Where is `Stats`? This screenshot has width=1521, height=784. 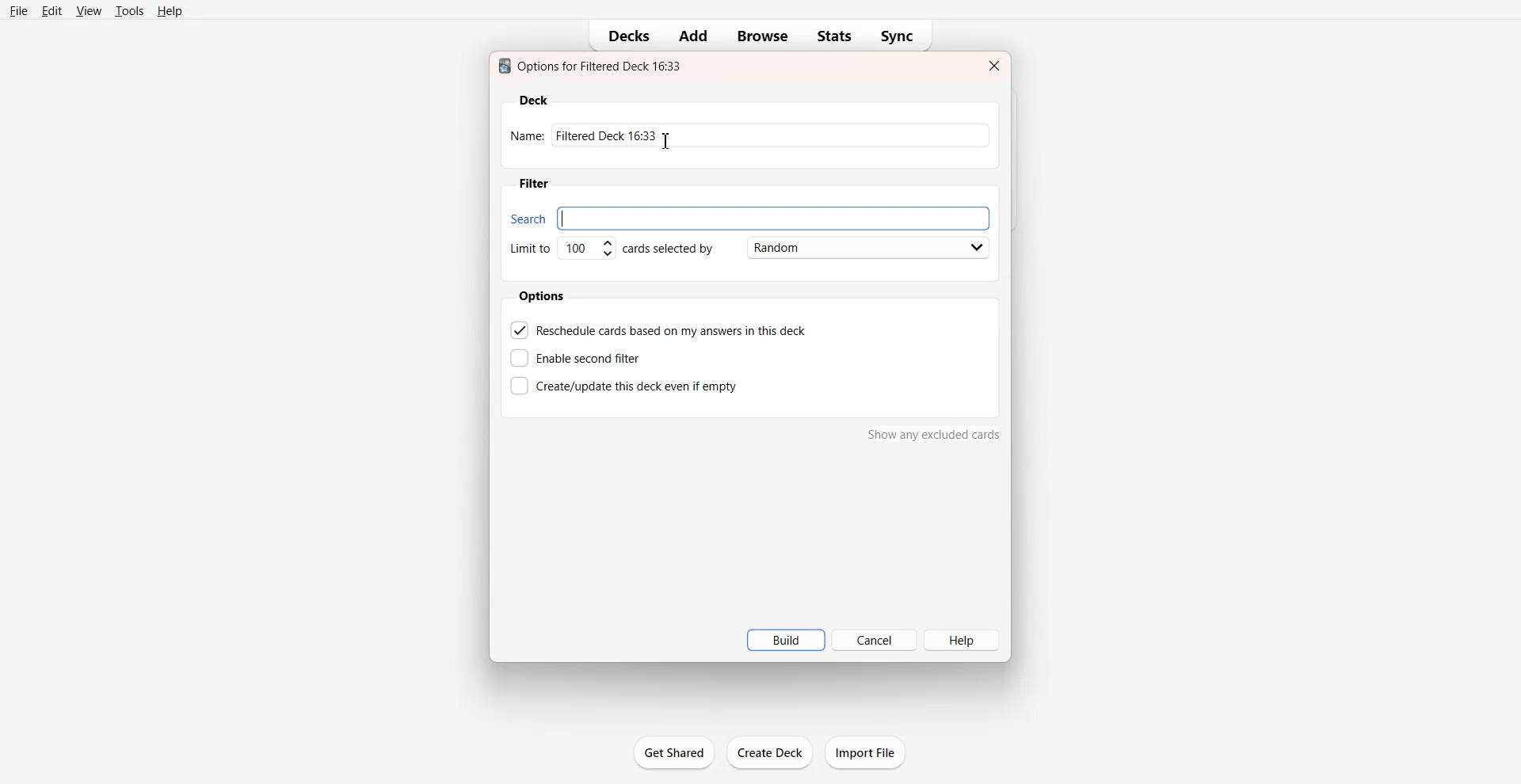 Stats is located at coordinates (834, 36).